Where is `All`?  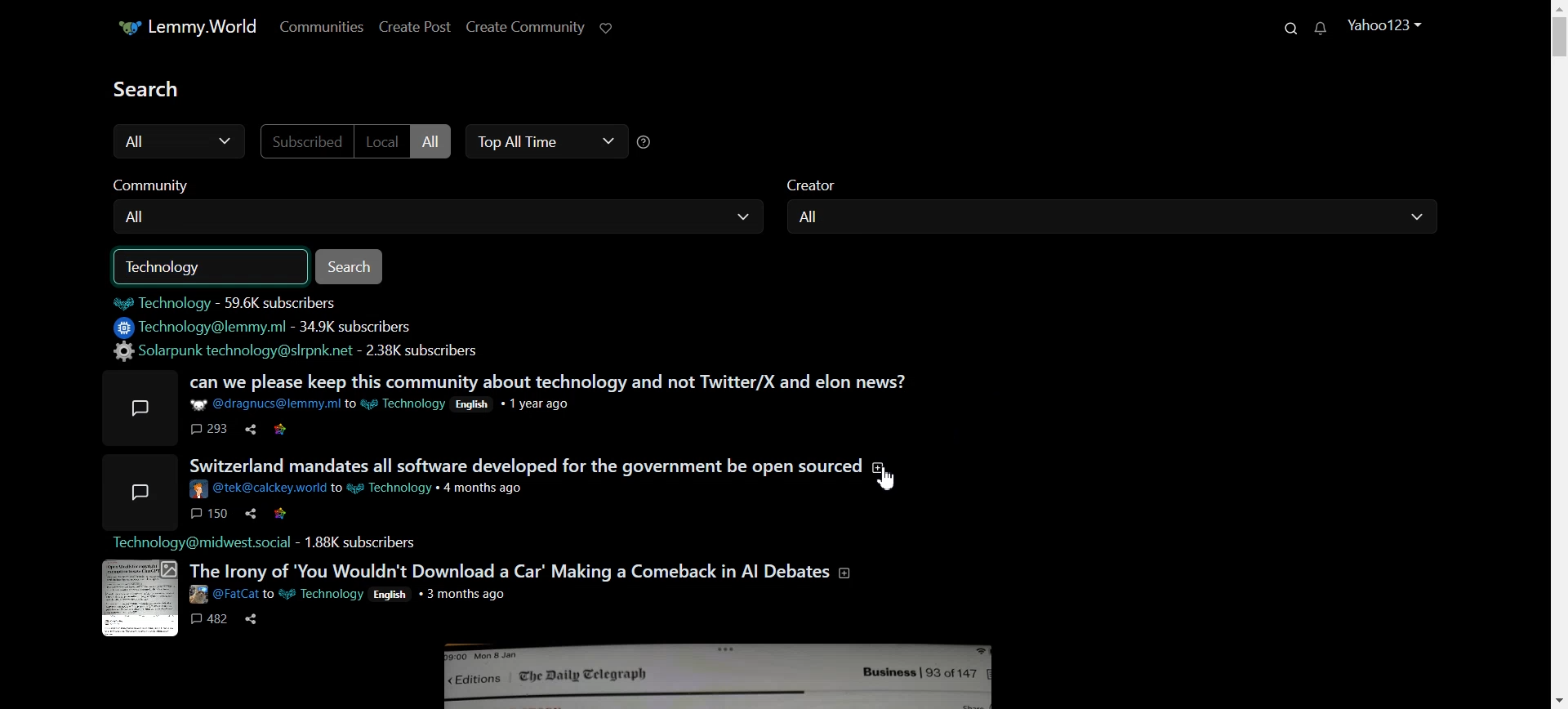 All is located at coordinates (1113, 218).